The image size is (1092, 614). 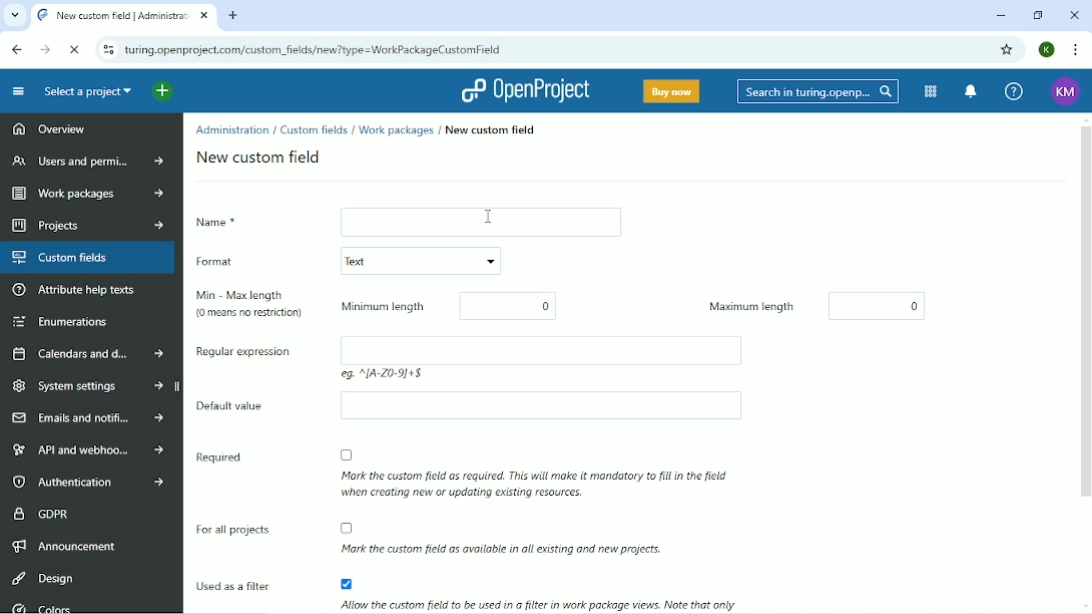 What do you see at coordinates (881, 304) in the screenshot?
I see `0` at bounding box center [881, 304].